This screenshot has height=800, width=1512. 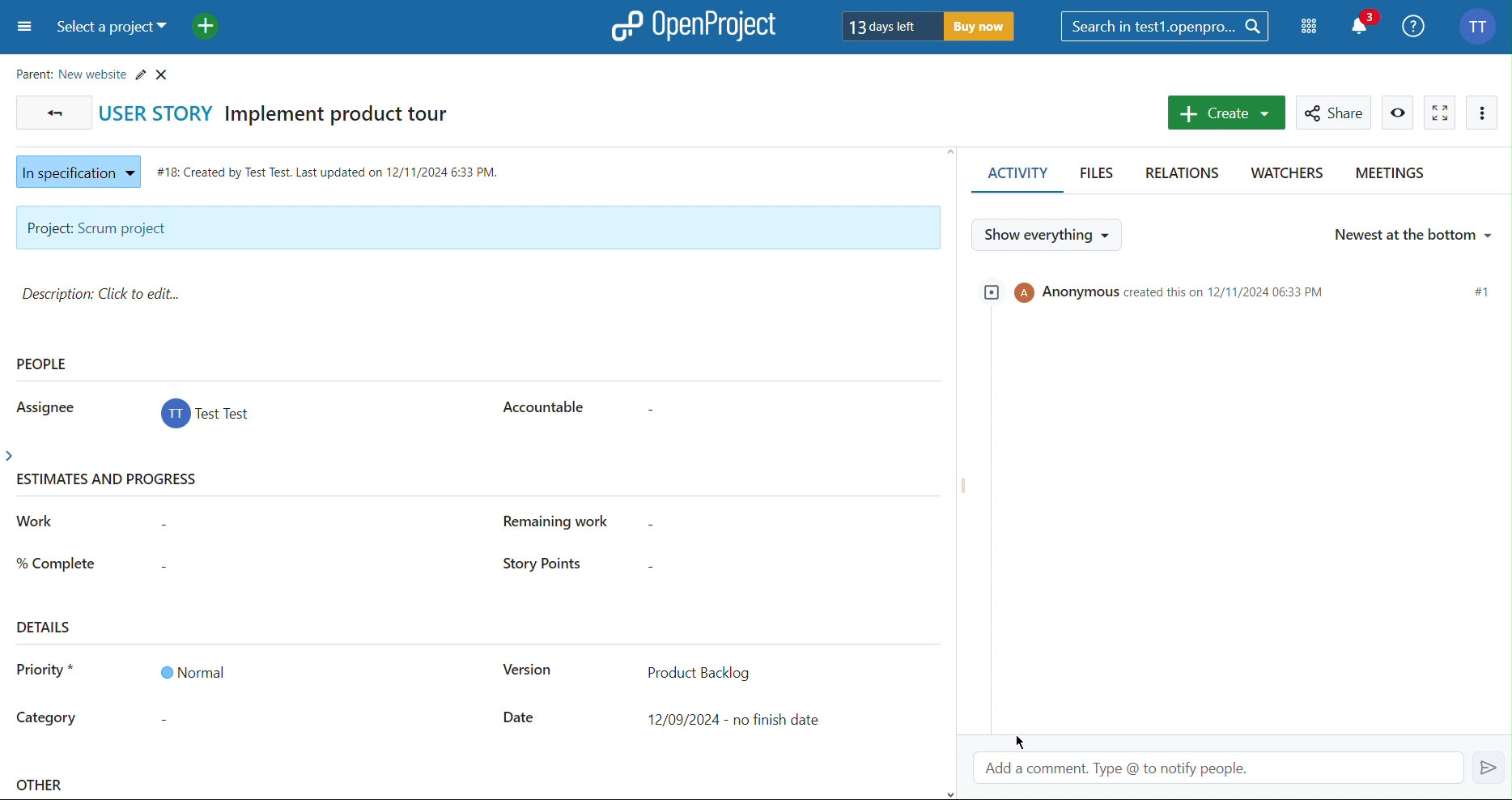 I want to click on % Complete, so click(x=56, y=561).